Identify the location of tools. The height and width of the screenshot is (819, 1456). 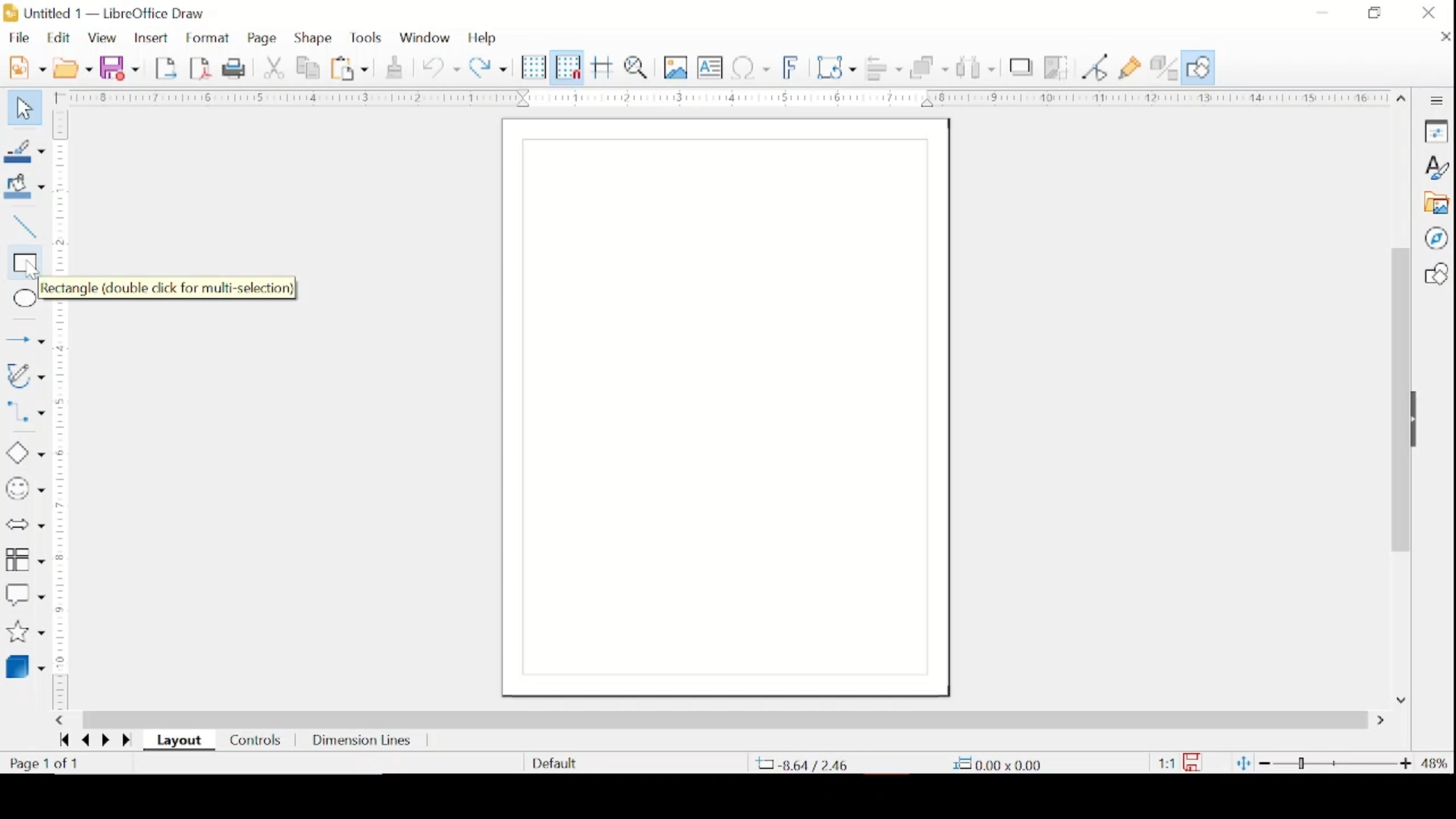
(366, 38).